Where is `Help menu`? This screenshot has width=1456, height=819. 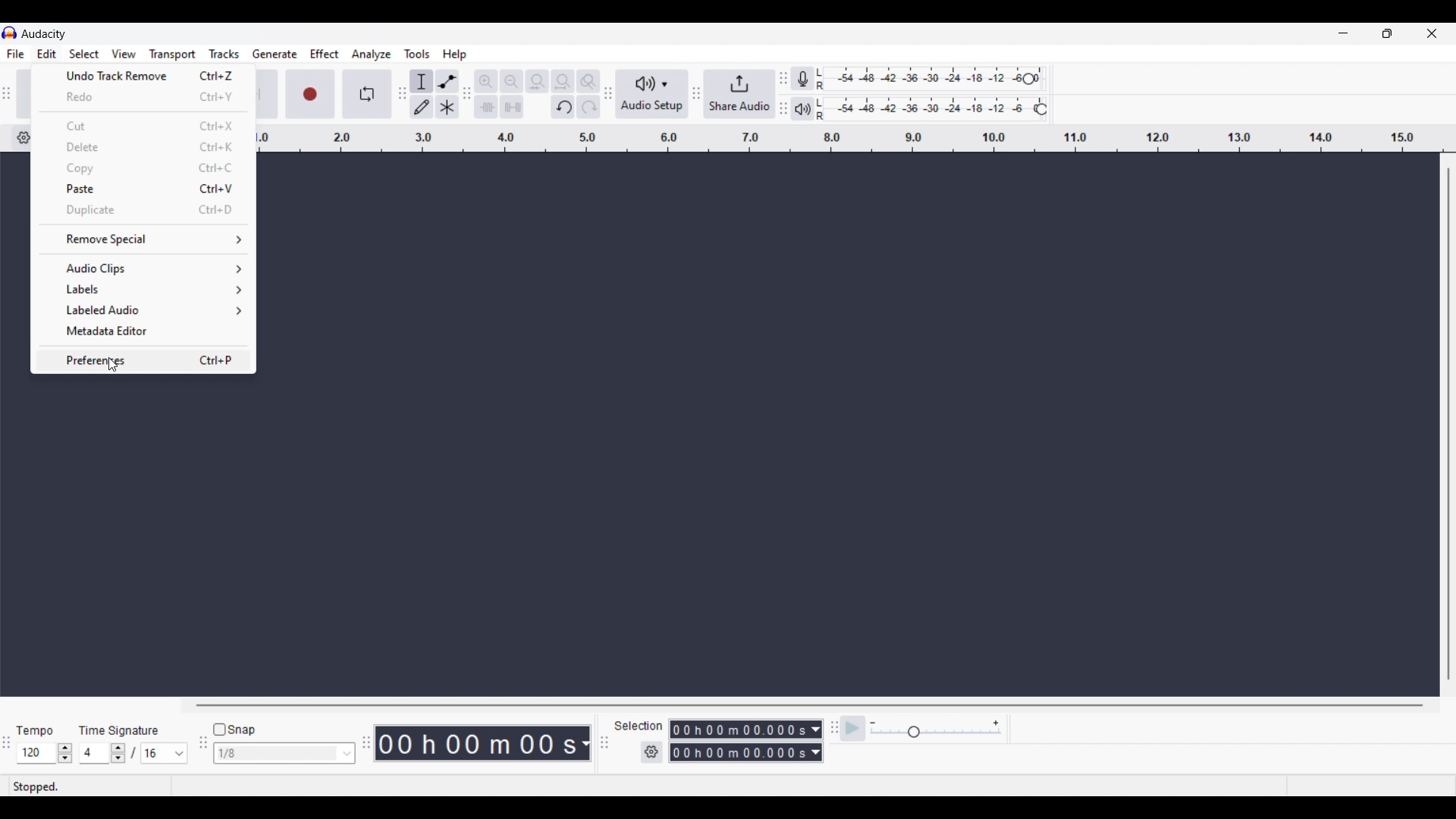 Help menu is located at coordinates (454, 55).